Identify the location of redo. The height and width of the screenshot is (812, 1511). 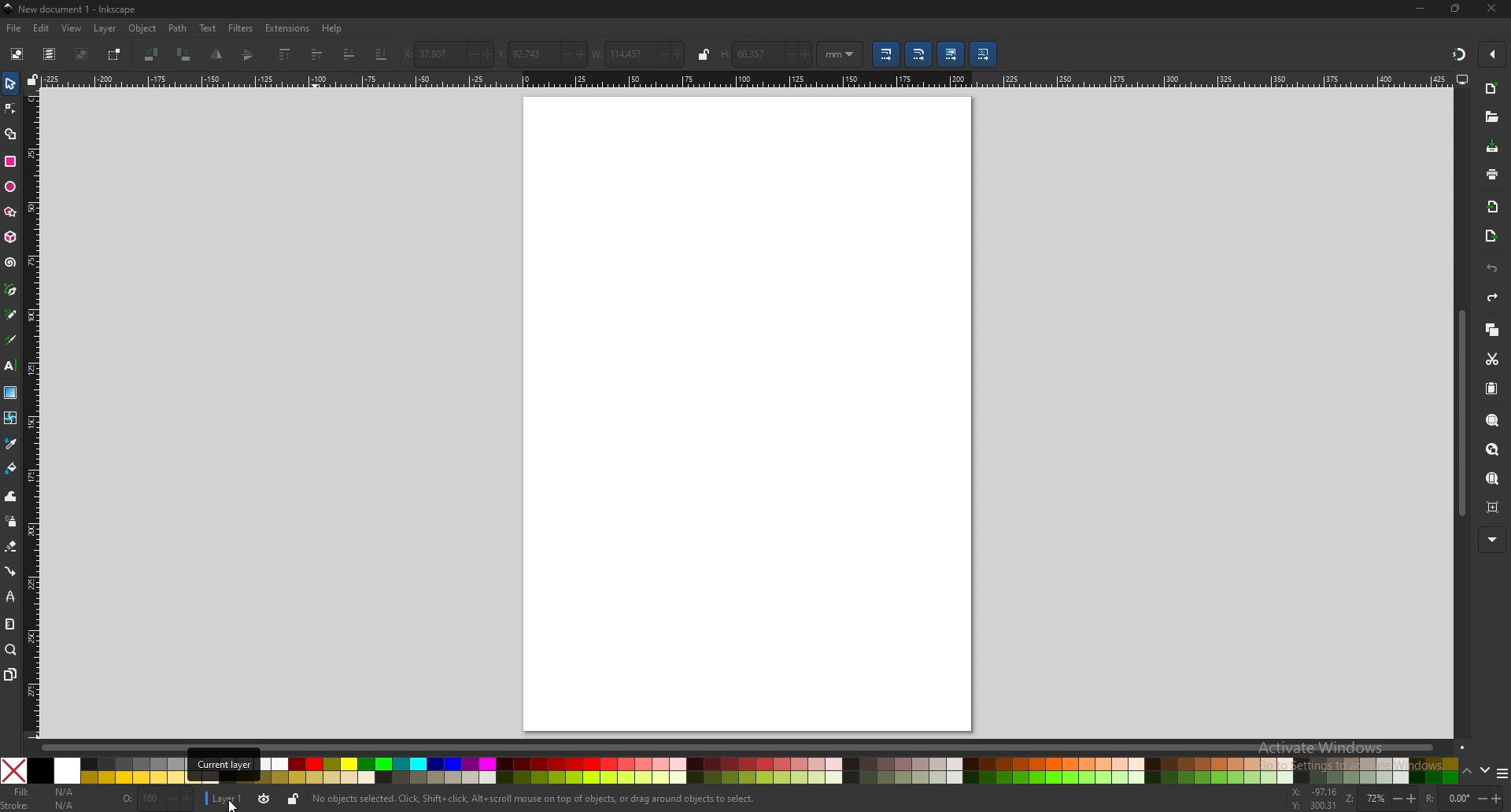
(1493, 297).